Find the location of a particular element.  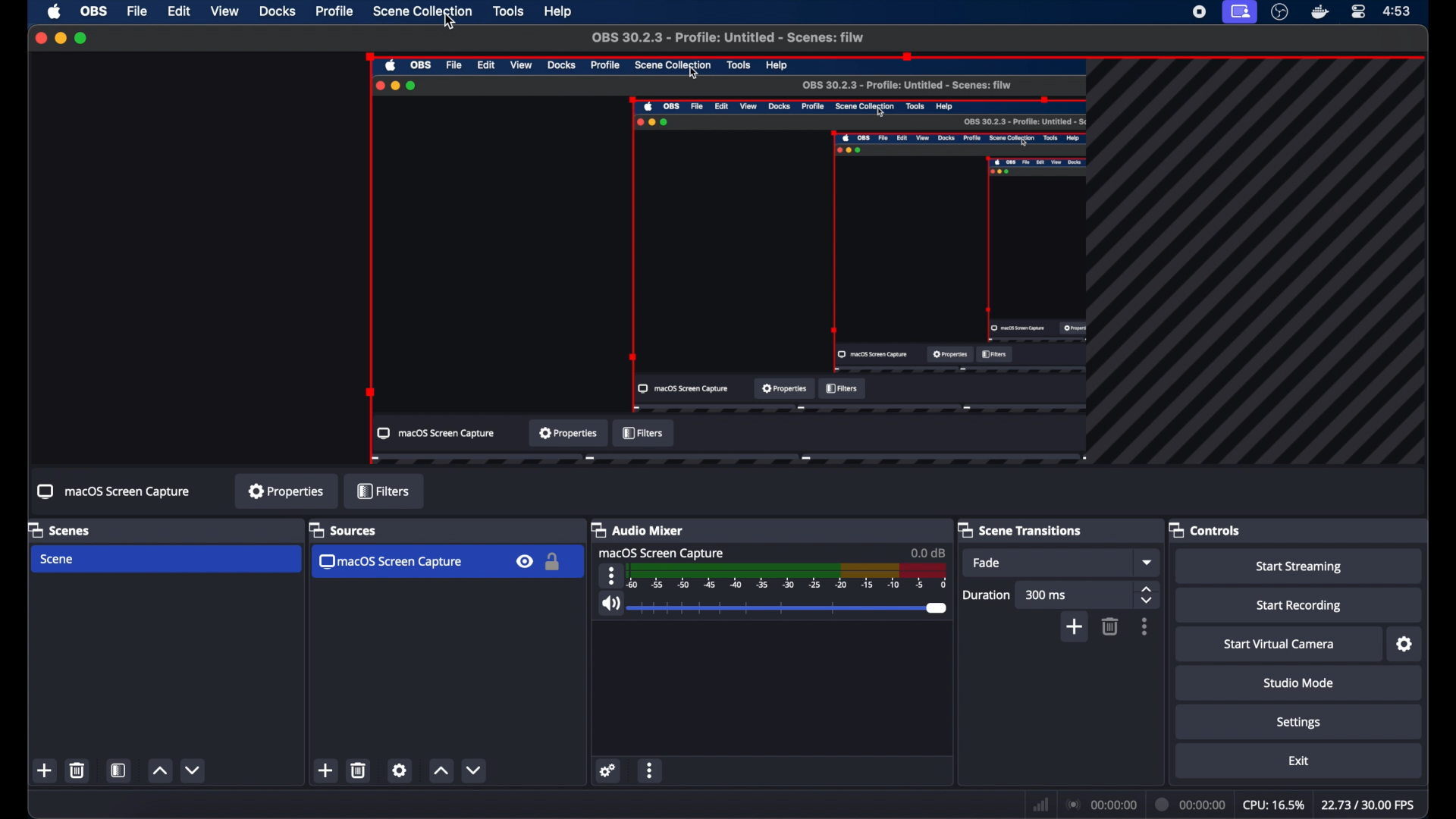

maximize is located at coordinates (86, 39).